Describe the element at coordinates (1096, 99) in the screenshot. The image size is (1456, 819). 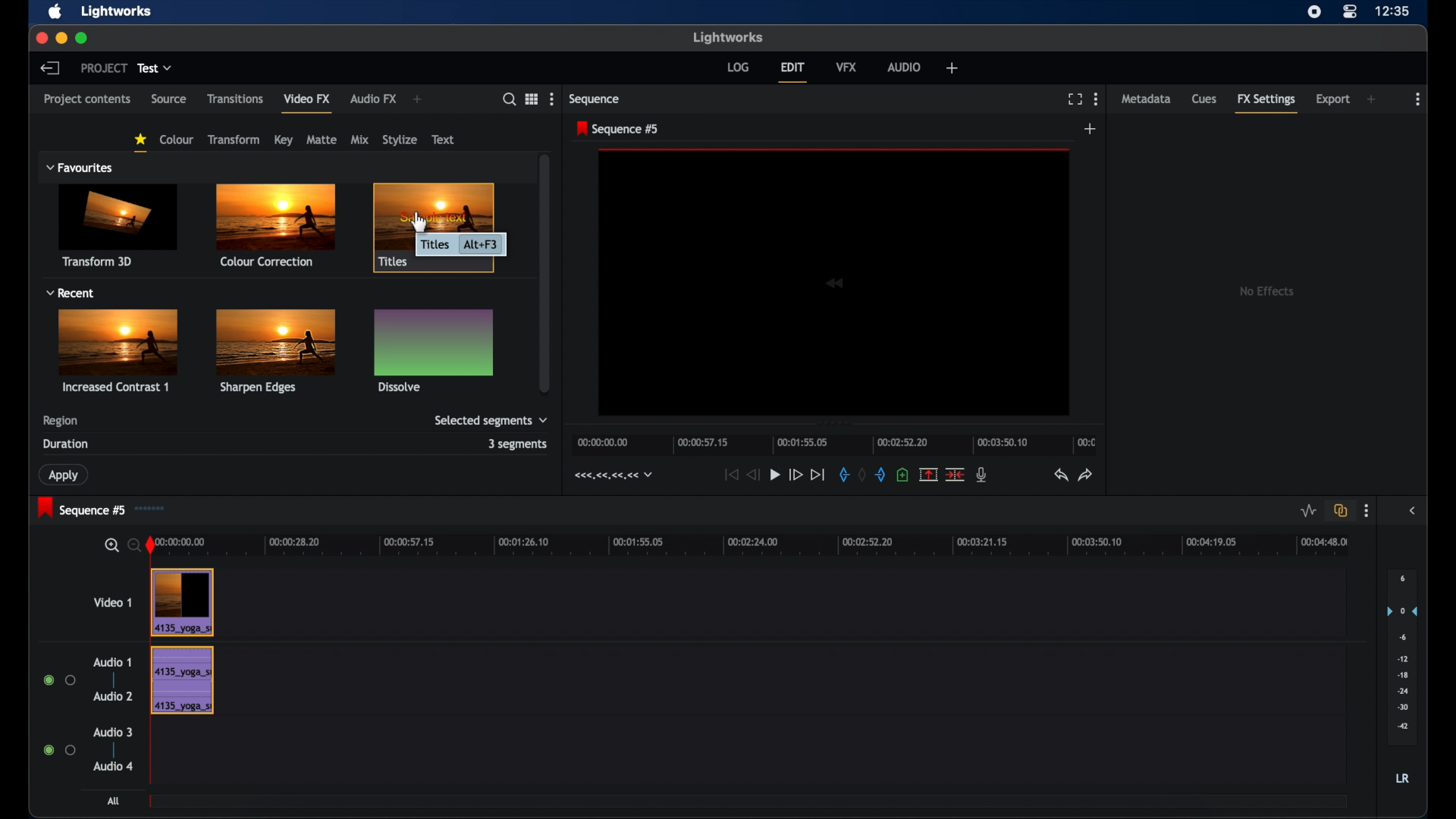
I see `more options` at that location.